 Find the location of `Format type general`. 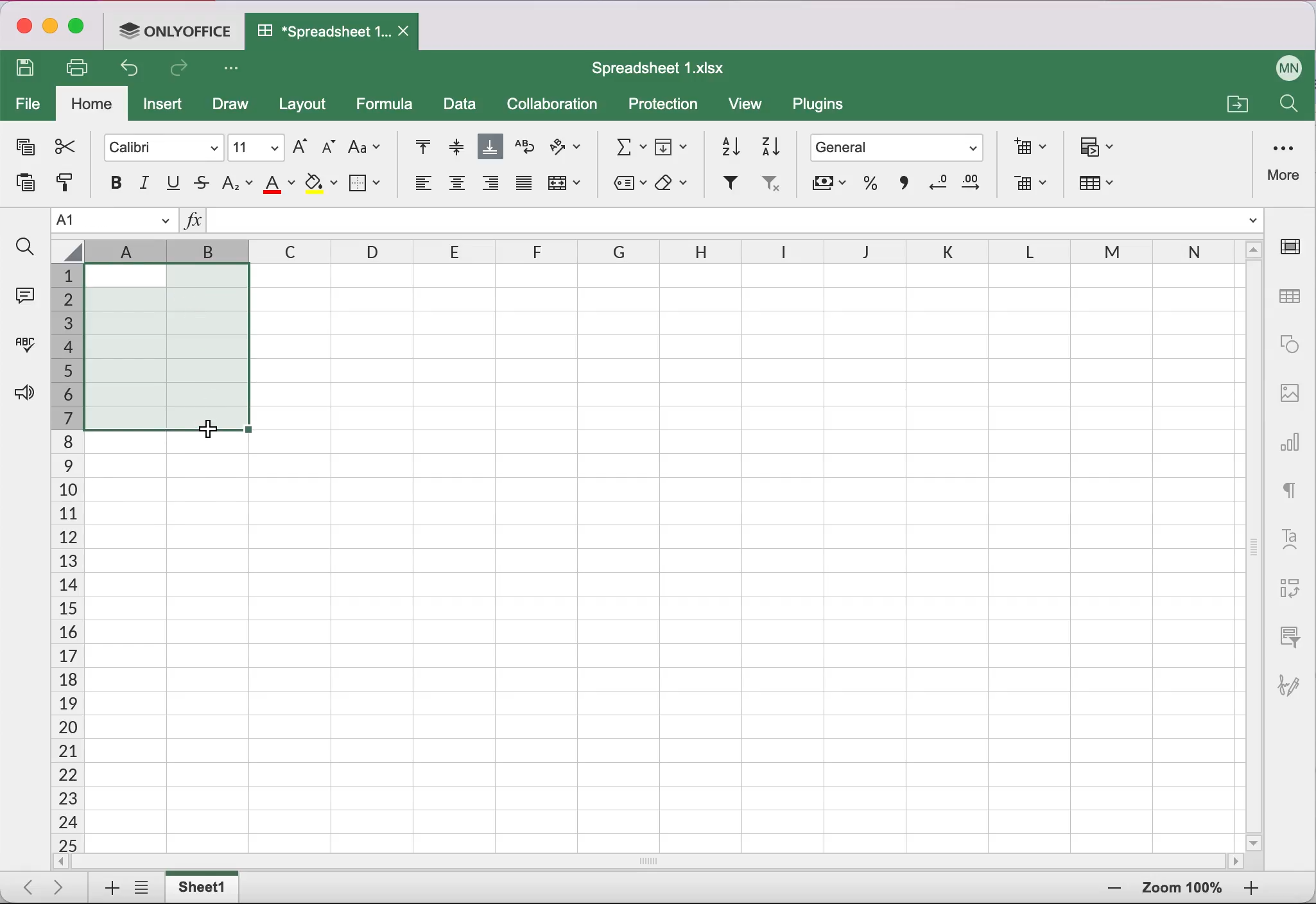

Format type general is located at coordinates (900, 150).